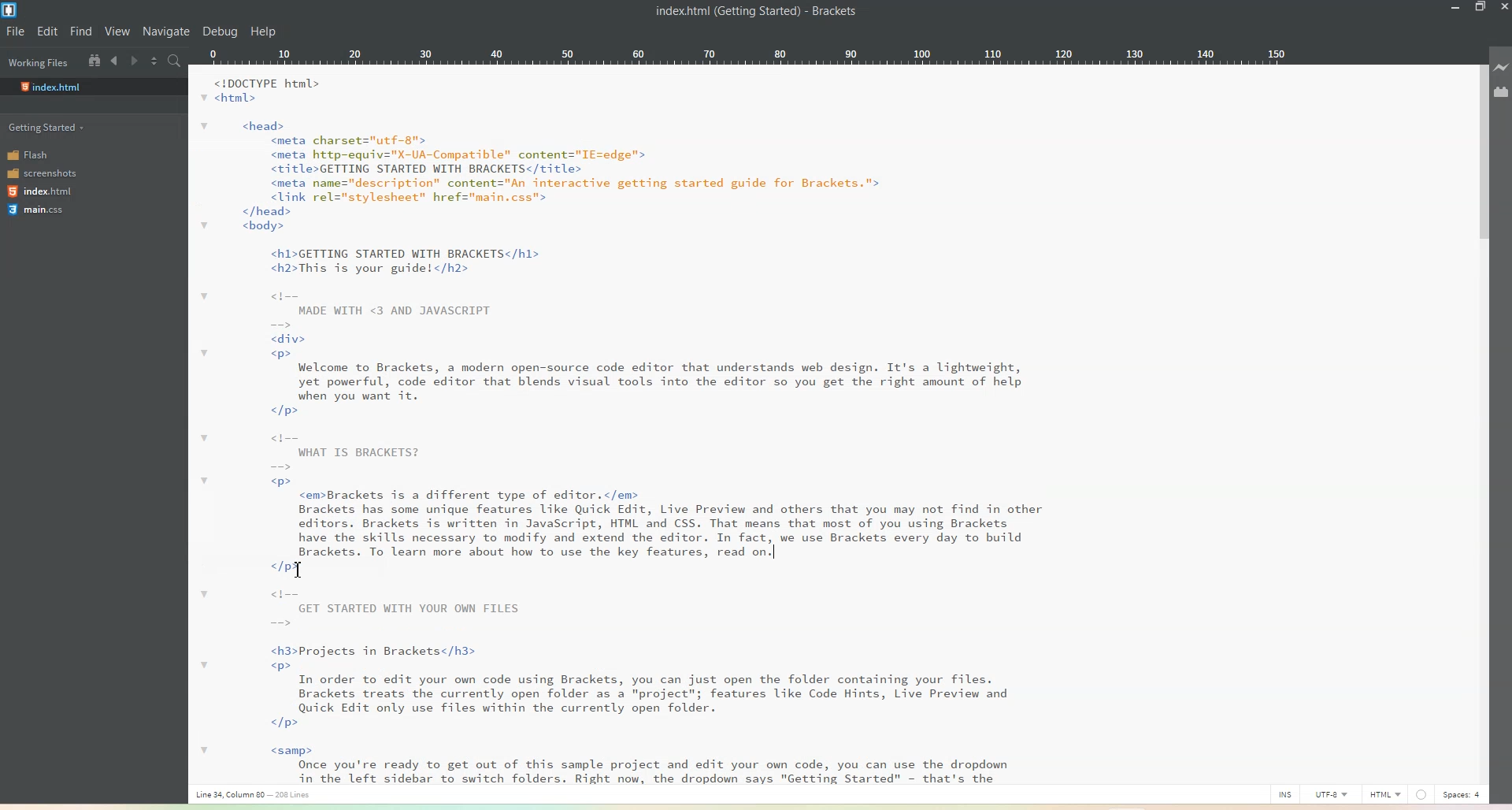  What do you see at coordinates (42, 173) in the screenshot?
I see `screenshots` at bounding box center [42, 173].